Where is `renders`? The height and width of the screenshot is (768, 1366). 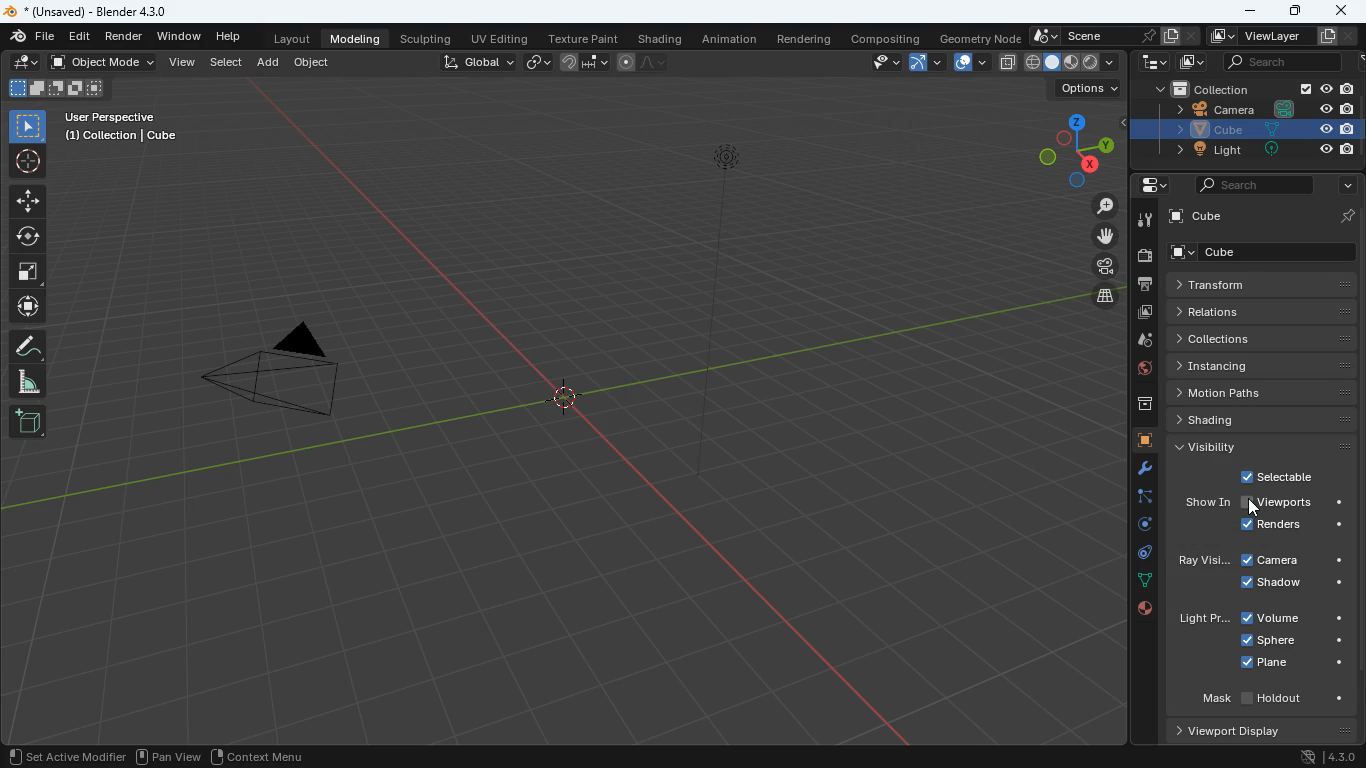
renders is located at coordinates (1290, 527).